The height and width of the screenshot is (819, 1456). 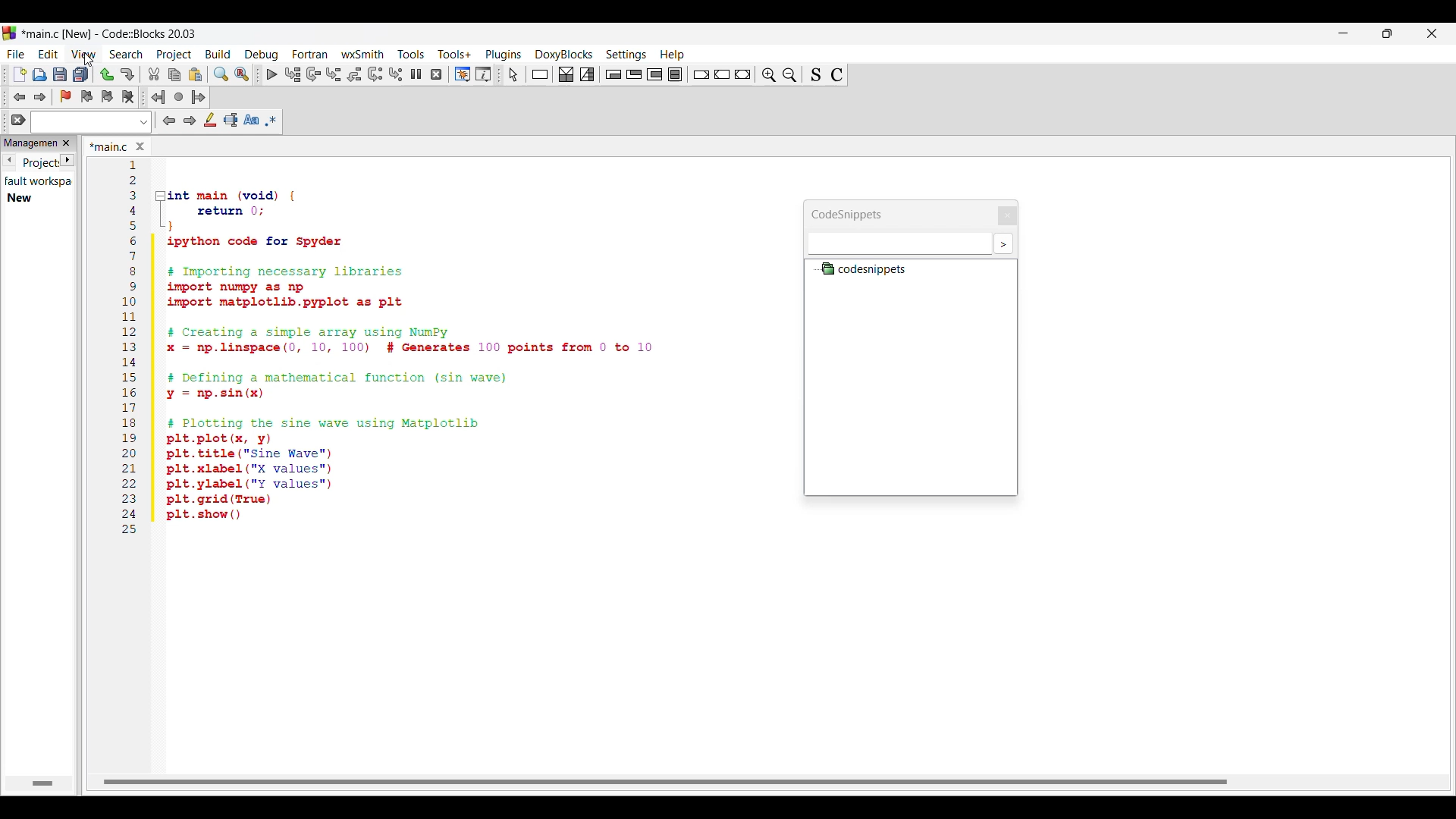 What do you see at coordinates (127, 55) in the screenshot?
I see `Search menu` at bounding box center [127, 55].